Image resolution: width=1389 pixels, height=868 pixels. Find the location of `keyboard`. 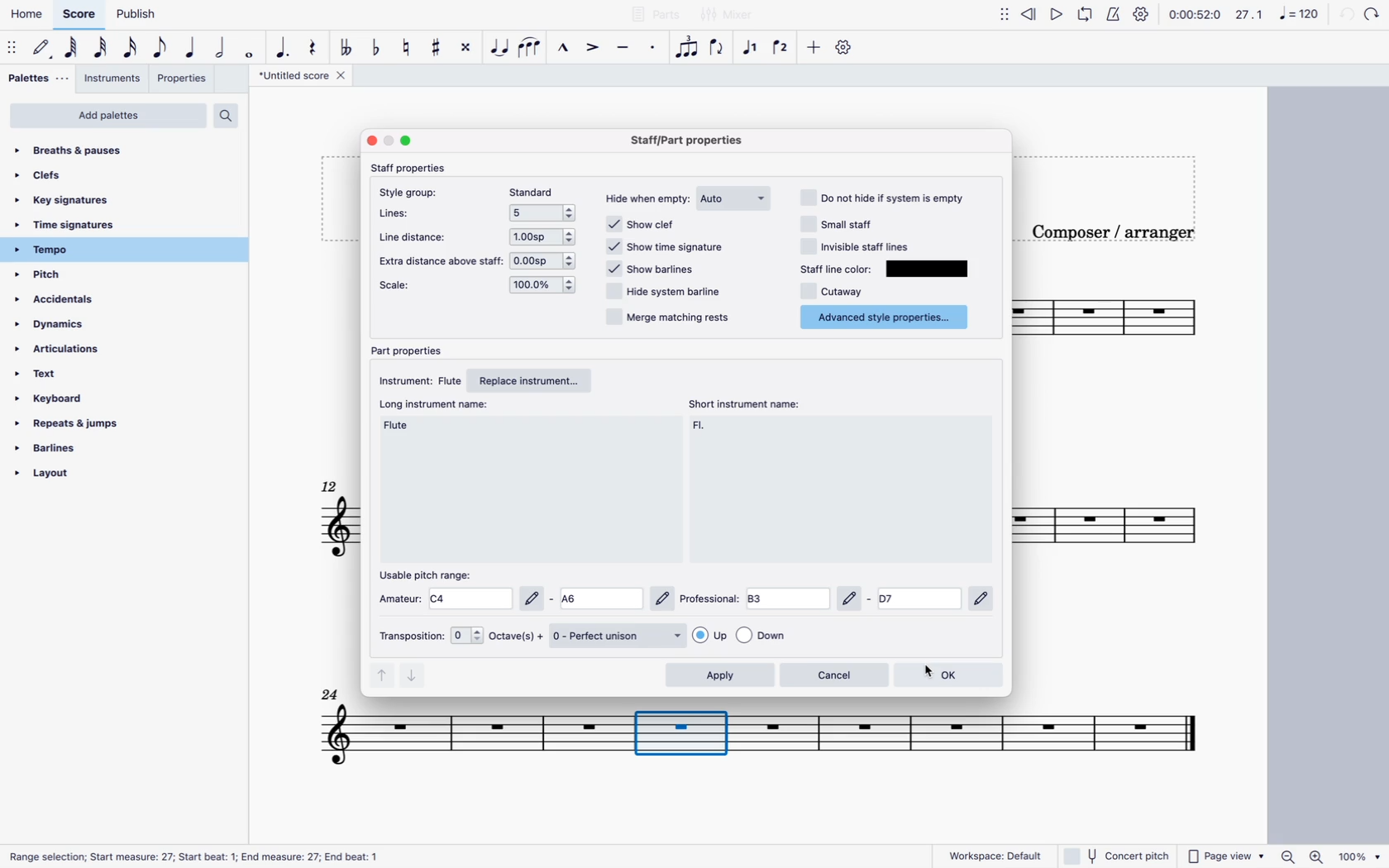

keyboard is located at coordinates (82, 399).